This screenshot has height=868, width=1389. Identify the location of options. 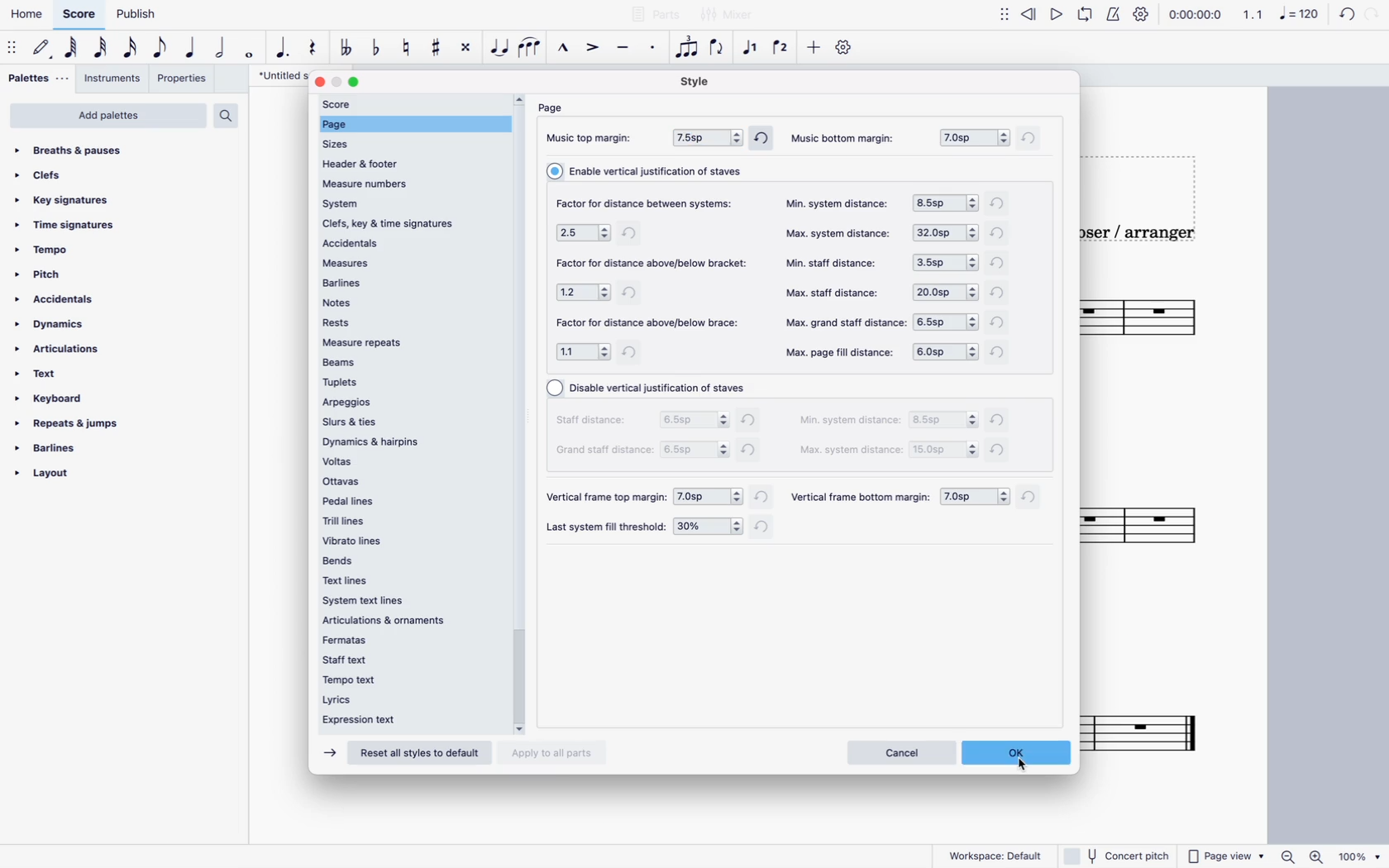
(584, 291).